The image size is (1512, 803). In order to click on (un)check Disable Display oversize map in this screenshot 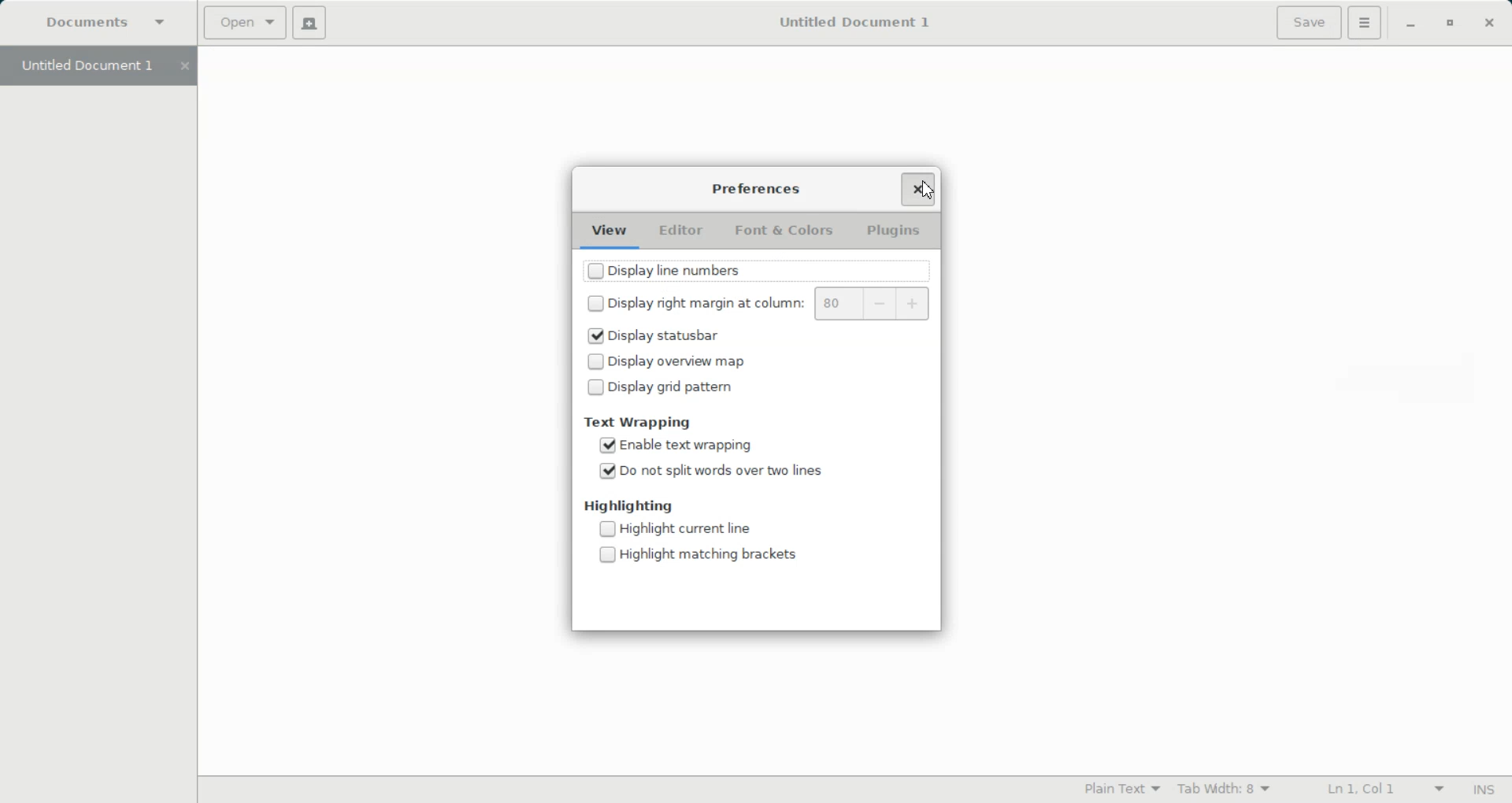, I will do `click(665, 361)`.